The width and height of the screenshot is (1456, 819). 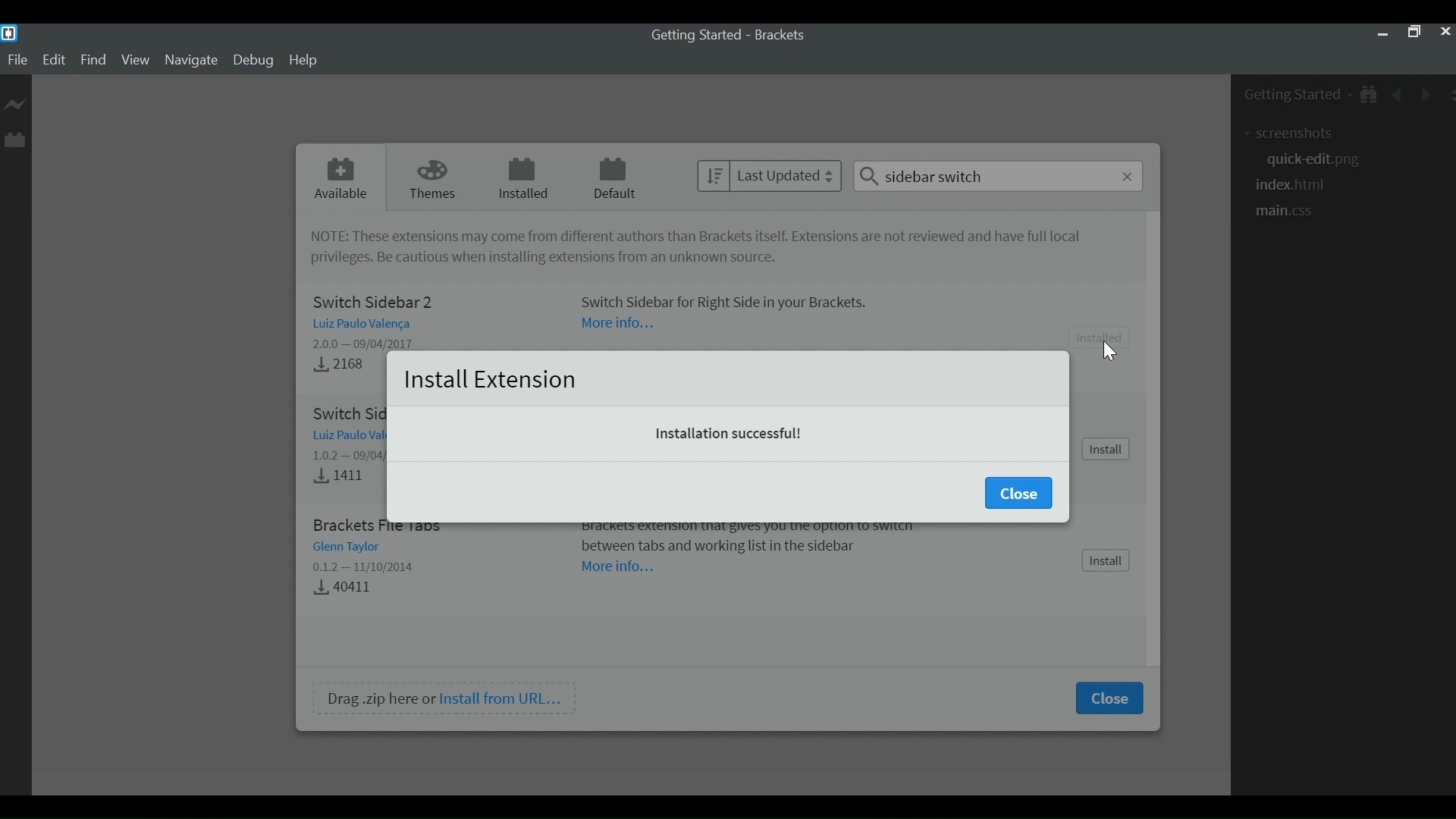 I want to click on Drag .zip here or, so click(x=379, y=698).